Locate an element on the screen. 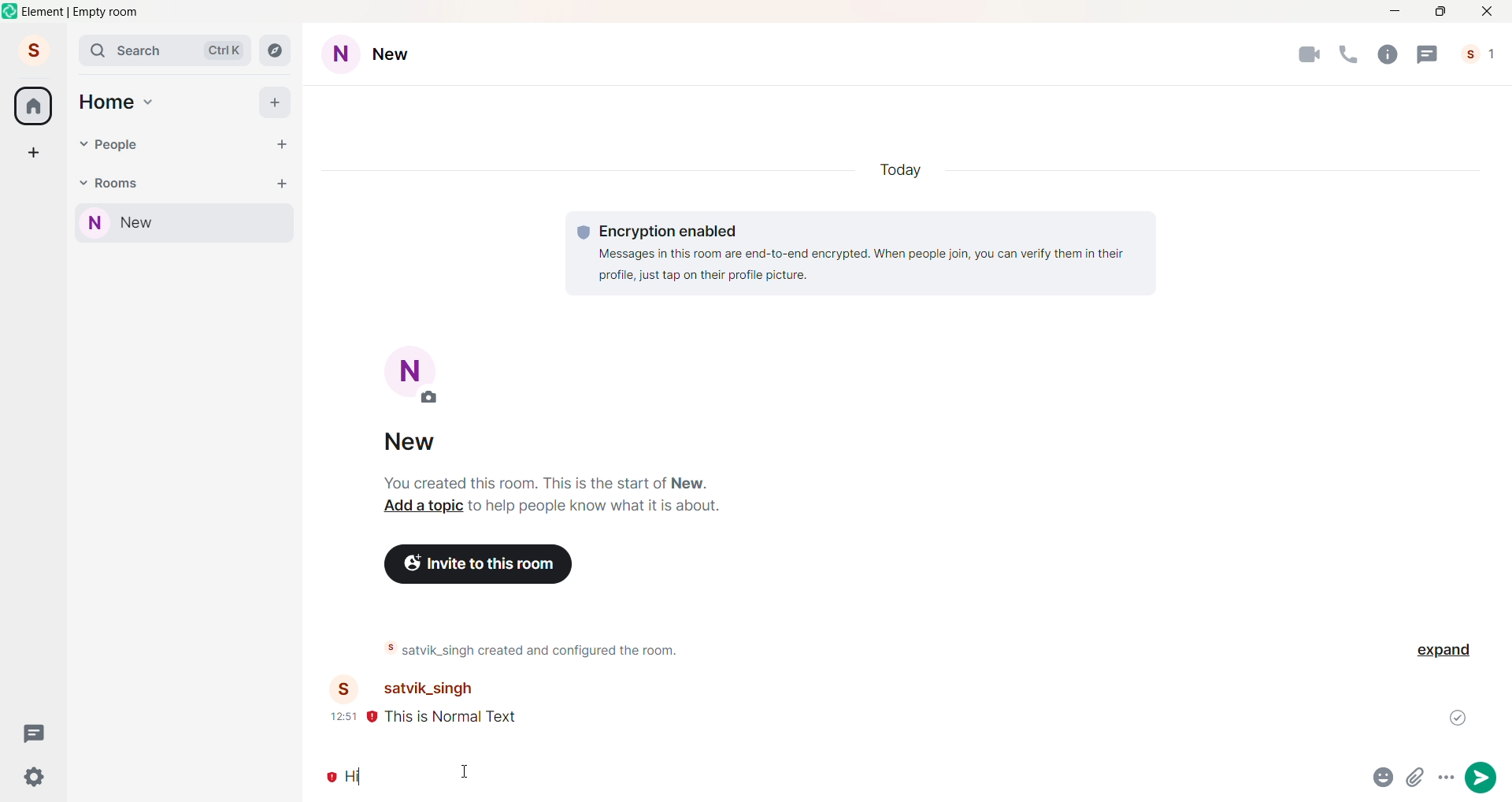 The height and width of the screenshot is (802, 1512). Not Encrypted is located at coordinates (329, 778).